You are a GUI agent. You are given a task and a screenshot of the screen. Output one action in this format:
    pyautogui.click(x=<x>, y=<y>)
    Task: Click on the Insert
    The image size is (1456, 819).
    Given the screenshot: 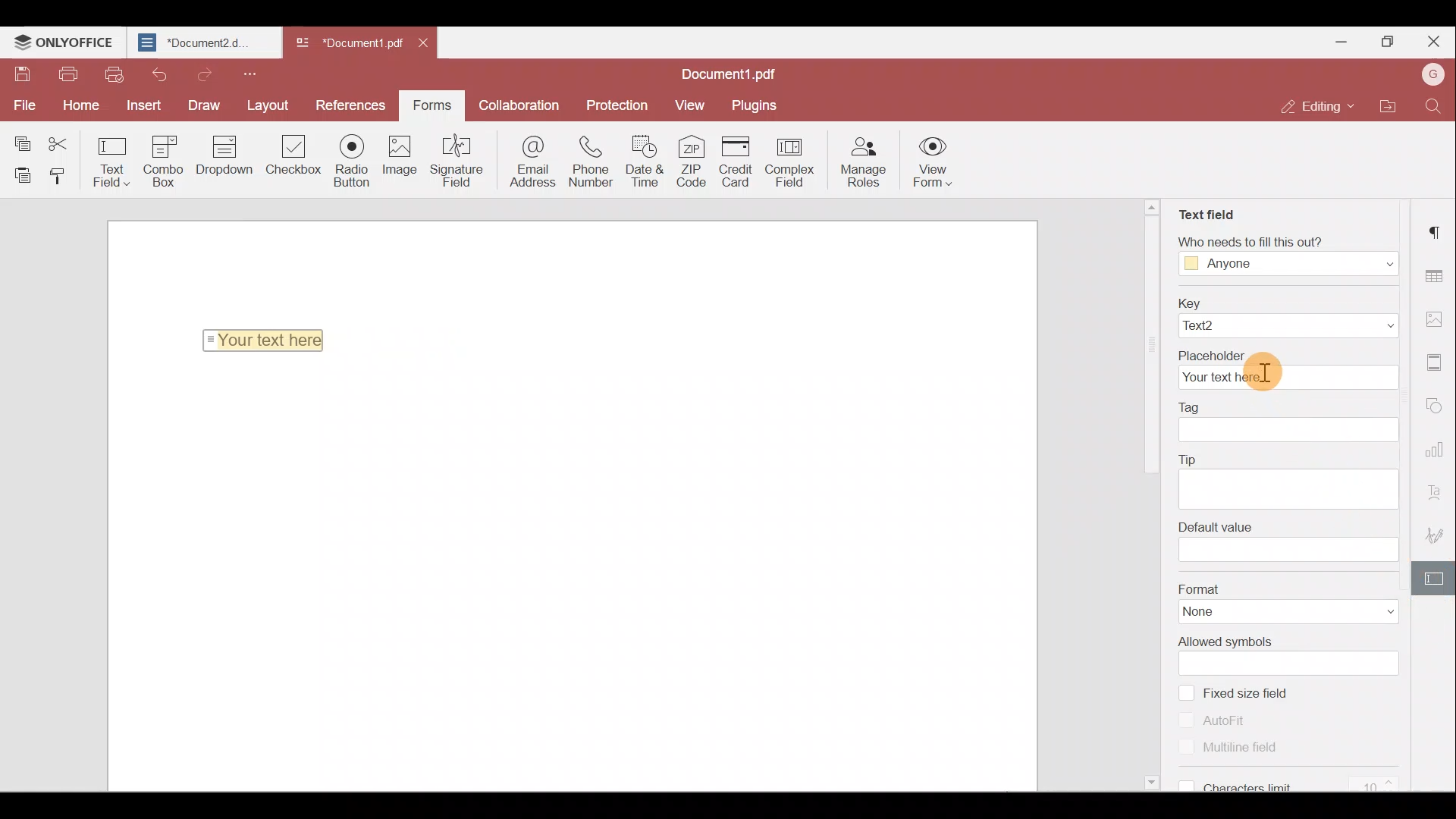 What is the action you would take?
    pyautogui.click(x=142, y=104)
    